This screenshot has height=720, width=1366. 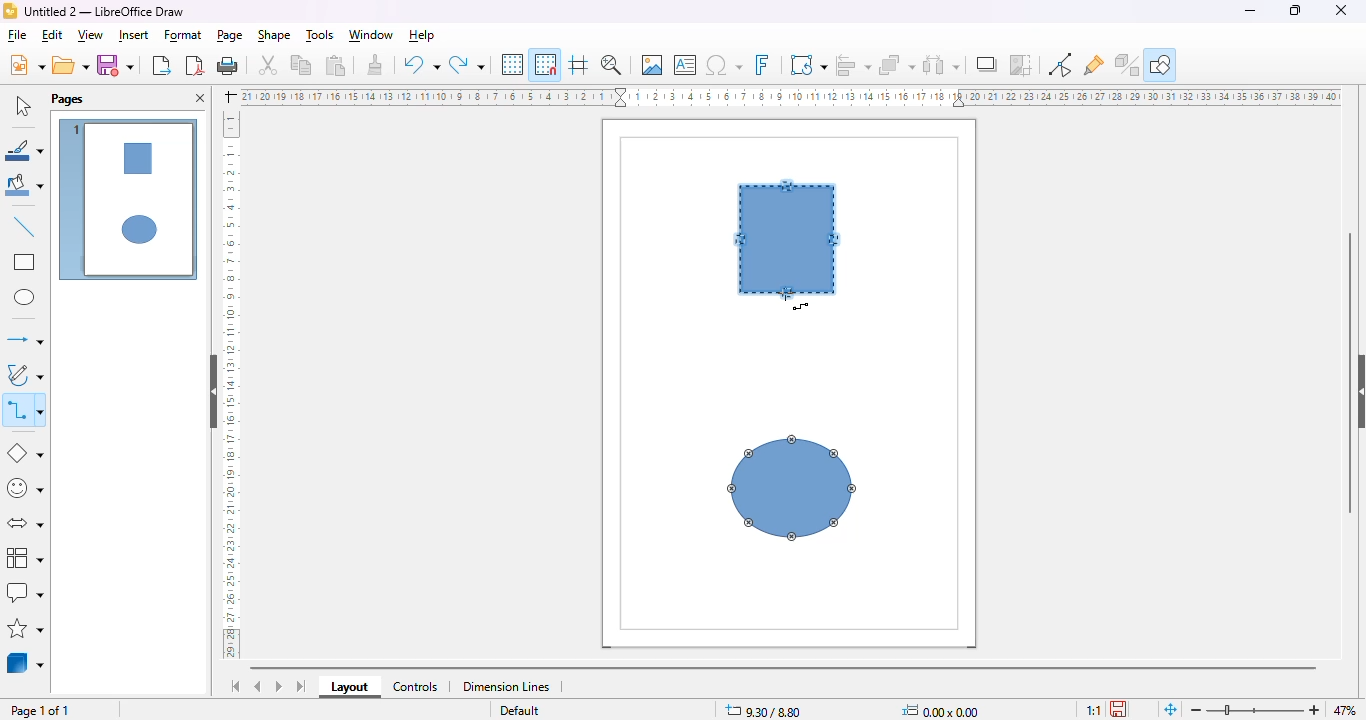 I want to click on tools, so click(x=321, y=35).